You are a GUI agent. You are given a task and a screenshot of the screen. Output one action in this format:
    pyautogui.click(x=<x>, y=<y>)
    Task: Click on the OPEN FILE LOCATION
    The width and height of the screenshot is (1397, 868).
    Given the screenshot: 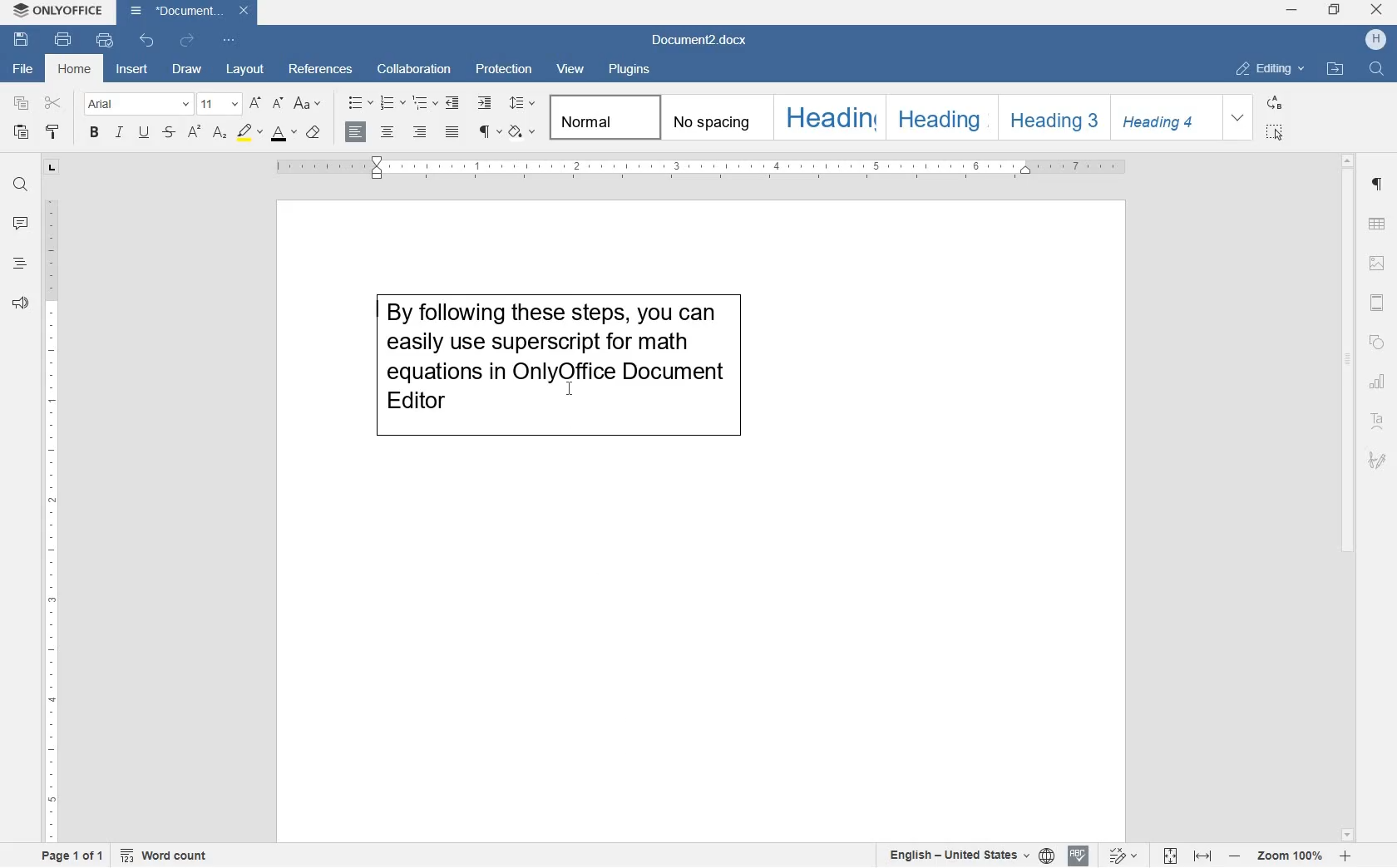 What is the action you would take?
    pyautogui.click(x=1335, y=67)
    